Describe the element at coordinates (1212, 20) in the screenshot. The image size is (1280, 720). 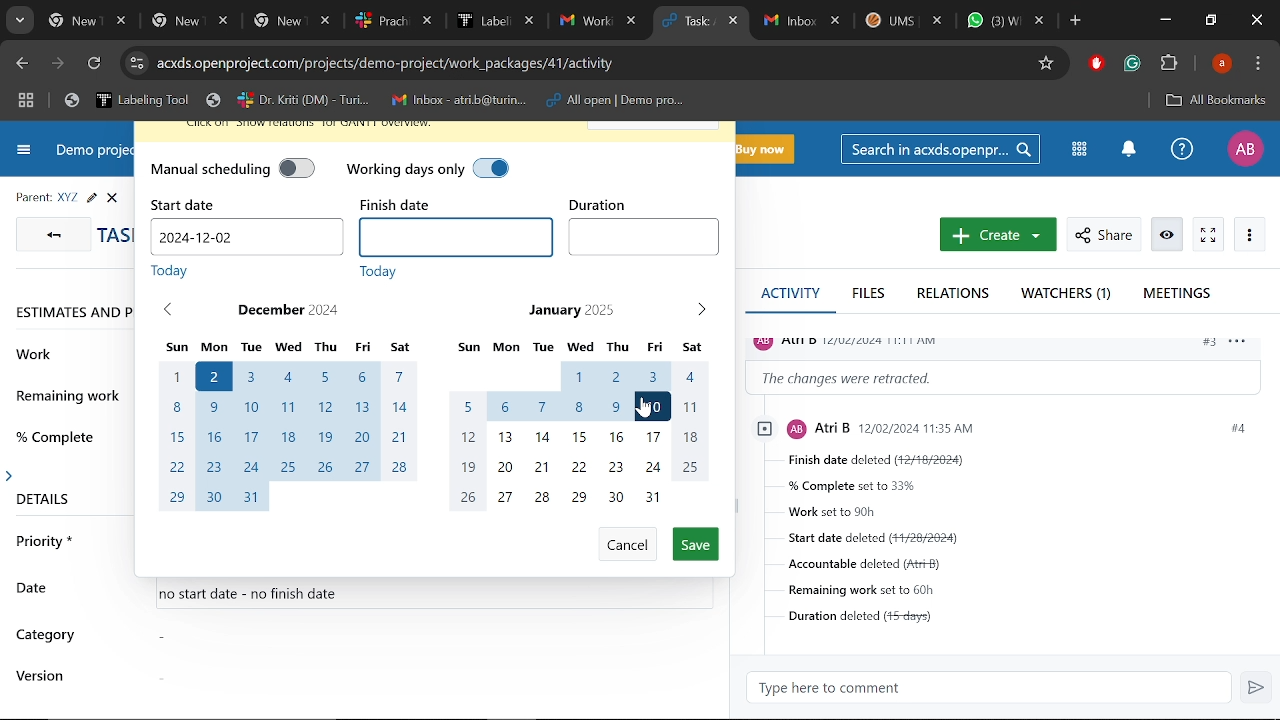
I see `Restore down` at that location.